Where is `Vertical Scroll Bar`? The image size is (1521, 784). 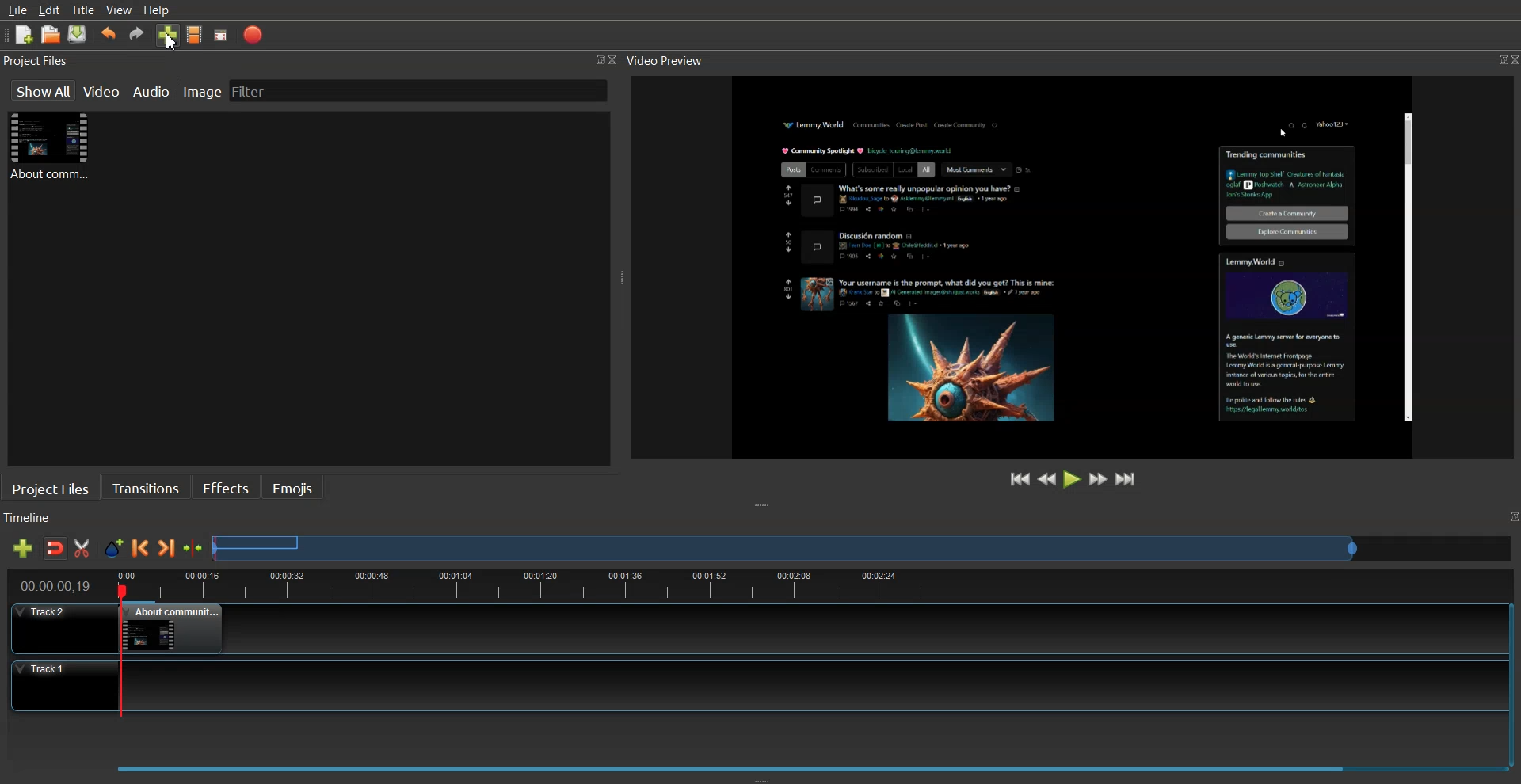 Vertical Scroll Bar is located at coordinates (1511, 678).